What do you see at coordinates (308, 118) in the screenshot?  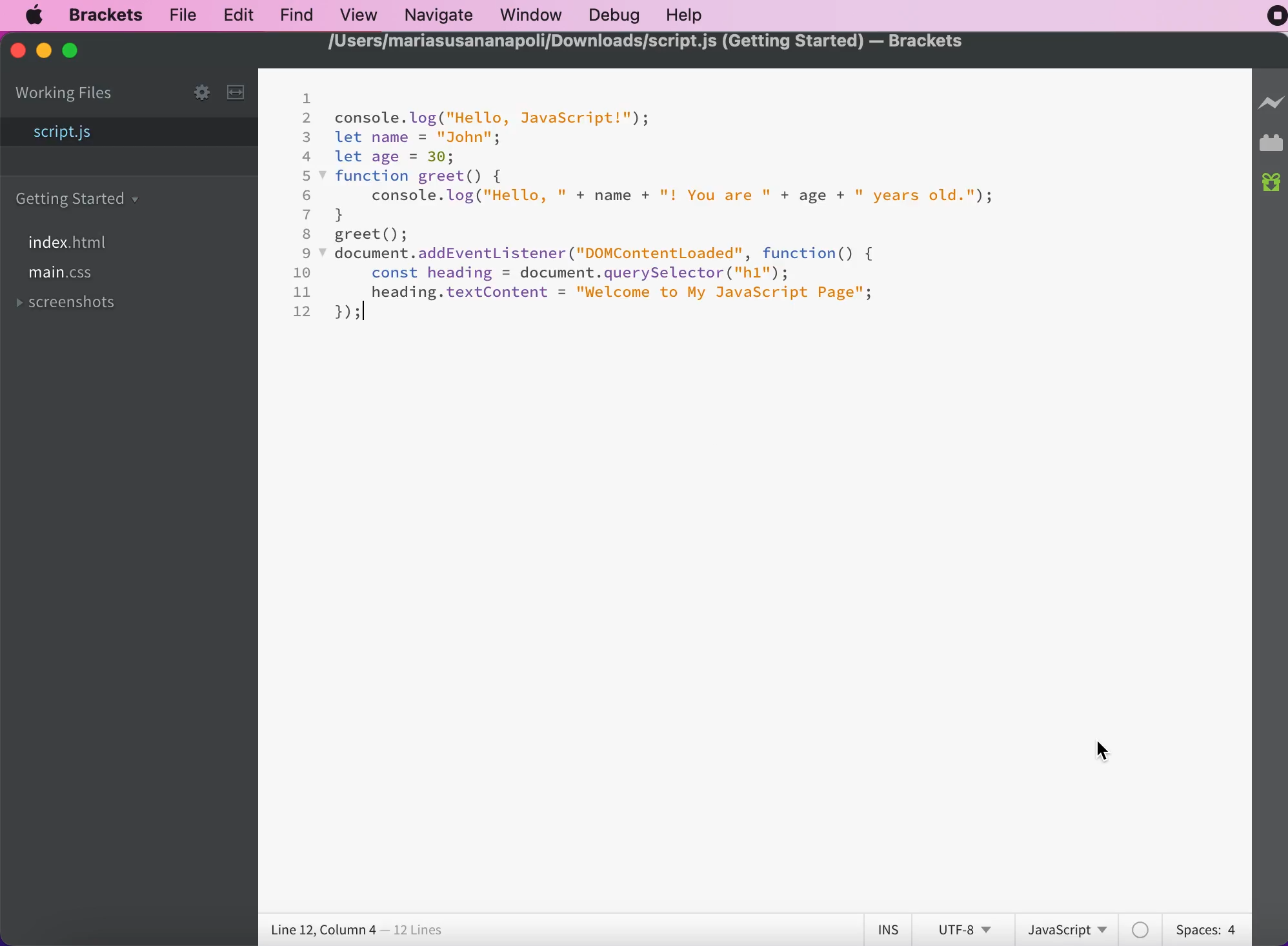 I see `2` at bounding box center [308, 118].